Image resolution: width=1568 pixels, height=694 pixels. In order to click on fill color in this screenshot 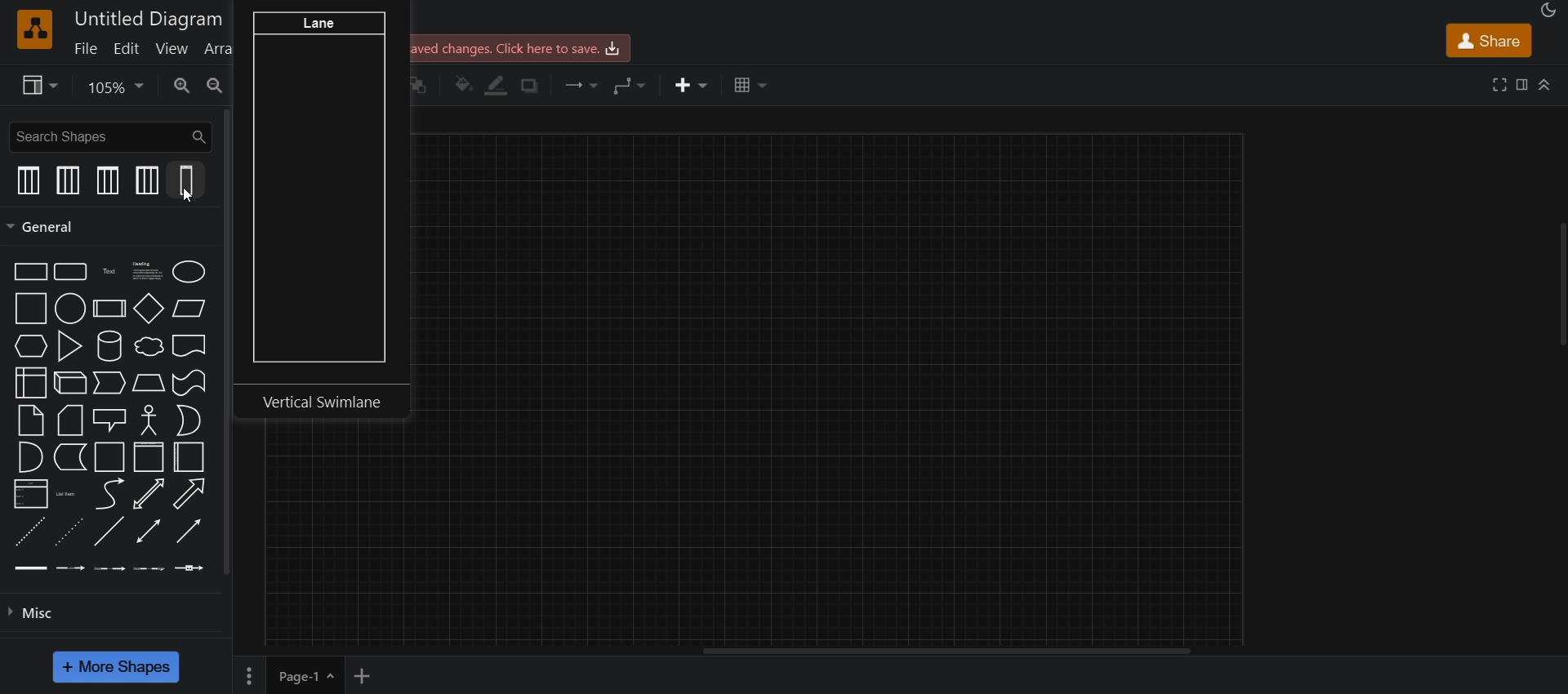, I will do `click(461, 85)`.